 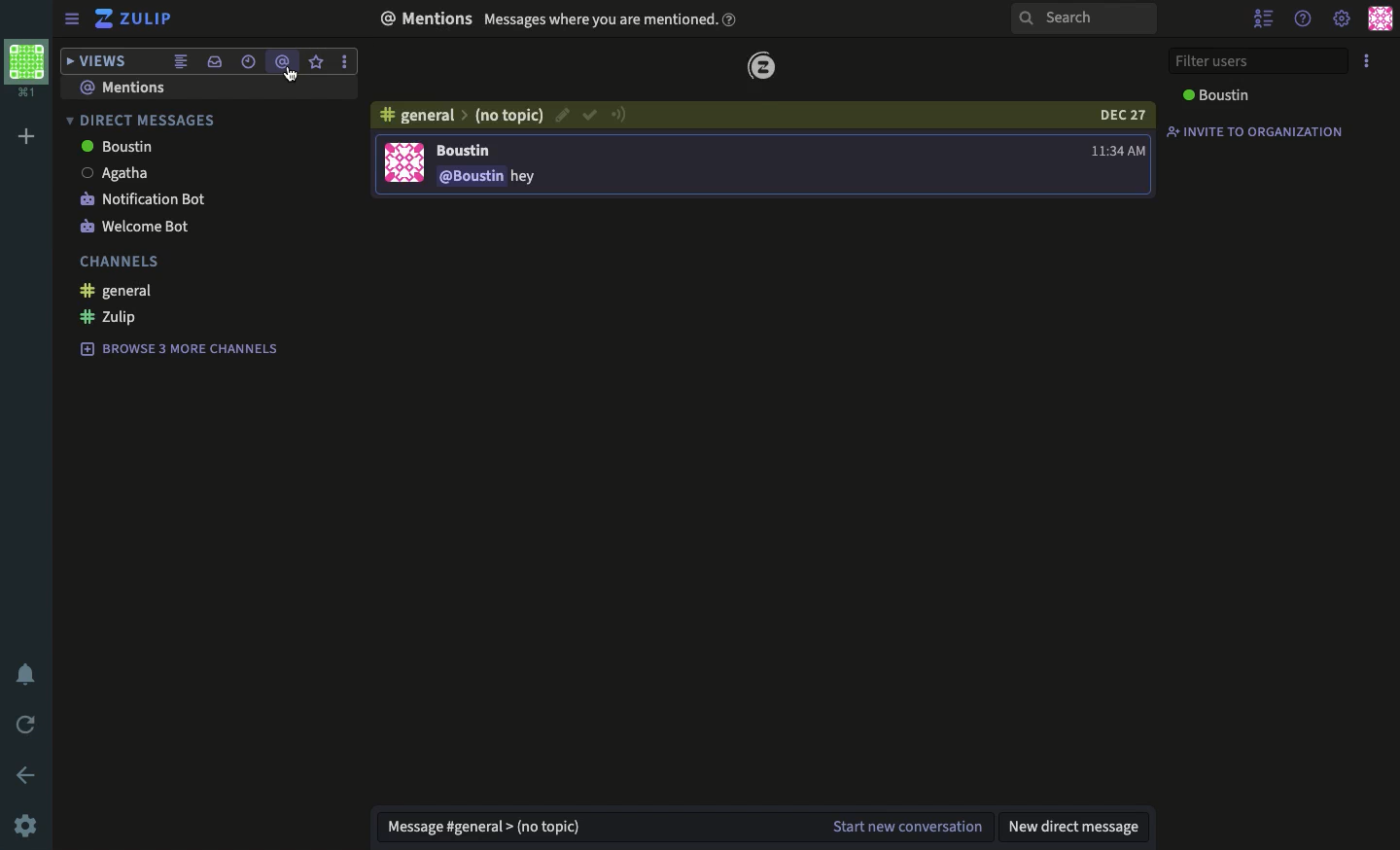 I want to click on message general, so click(x=486, y=829).